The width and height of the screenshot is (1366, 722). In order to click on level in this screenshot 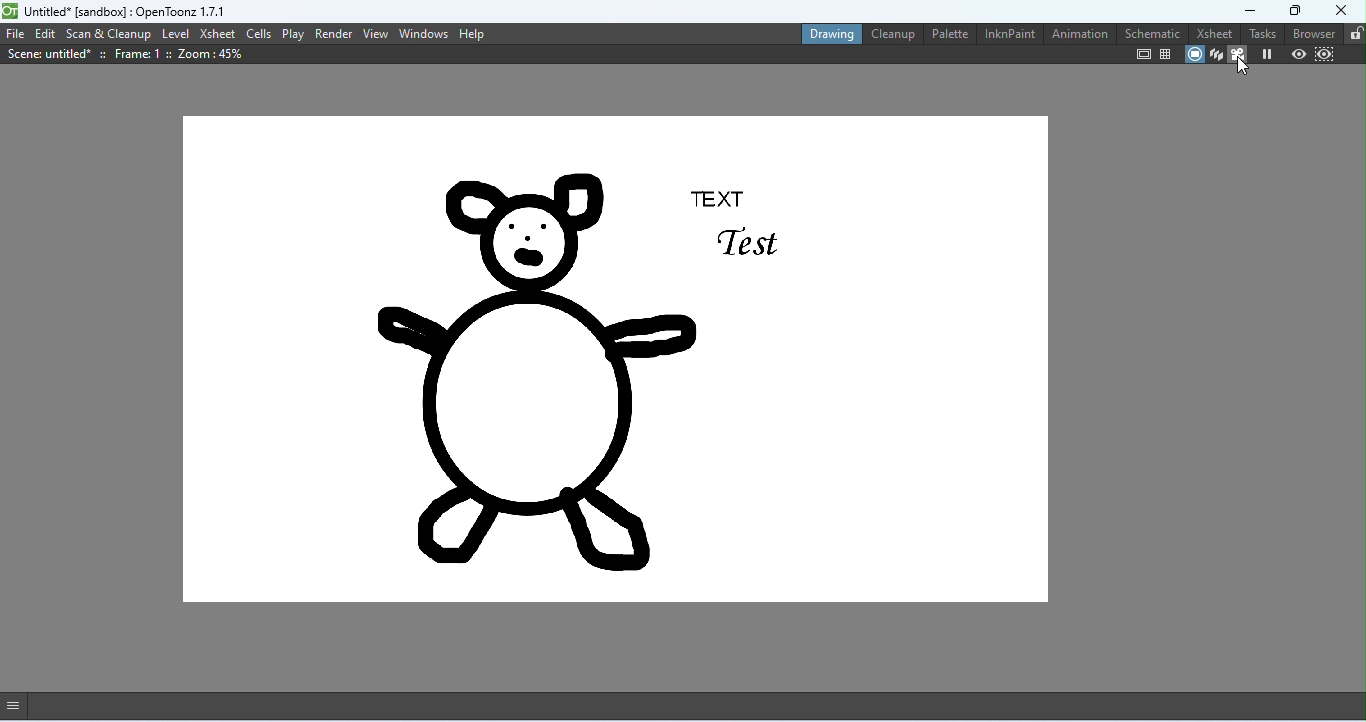, I will do `click(176, 33)`.